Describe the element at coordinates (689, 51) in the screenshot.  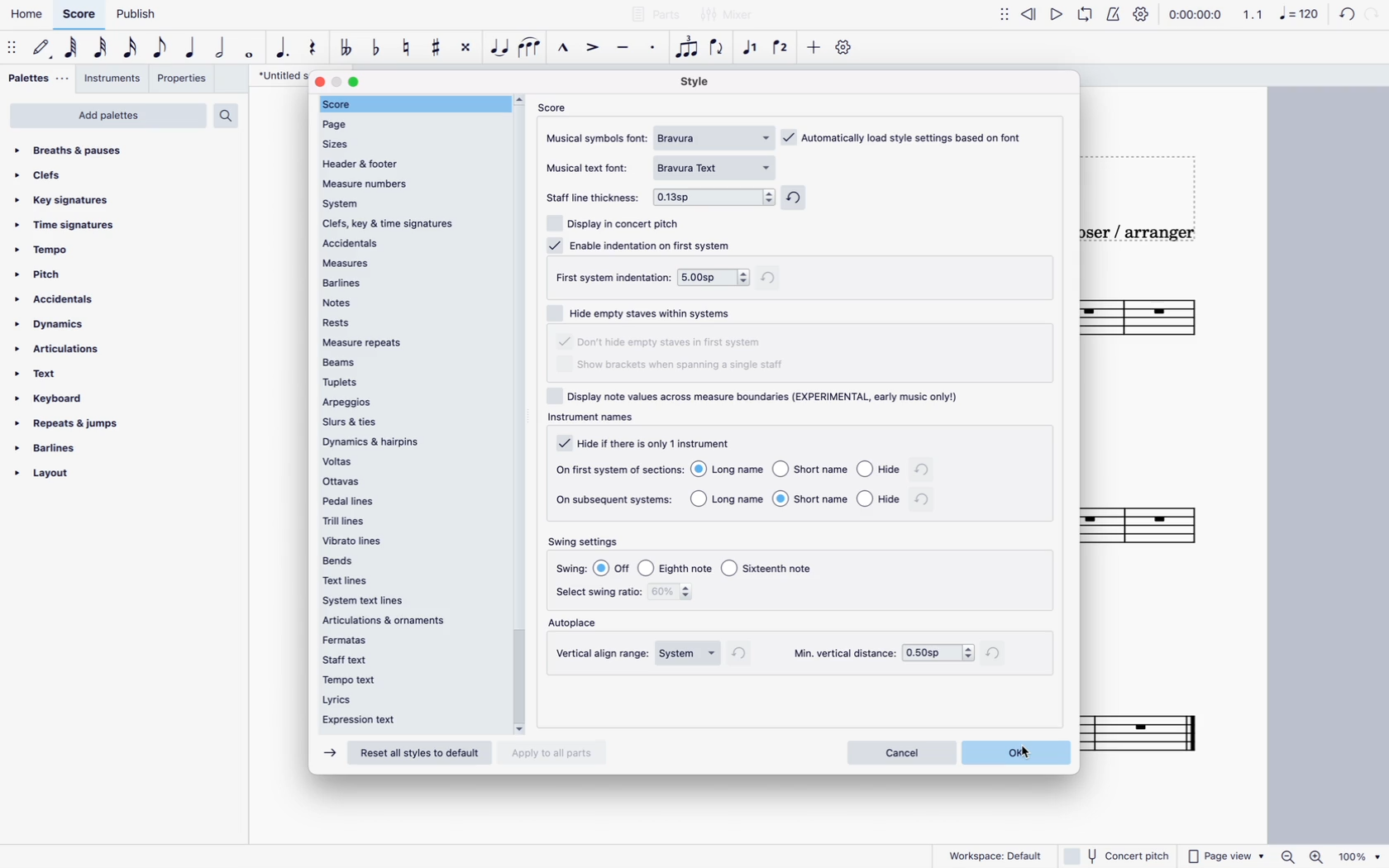
I see `tuplet` at that location.